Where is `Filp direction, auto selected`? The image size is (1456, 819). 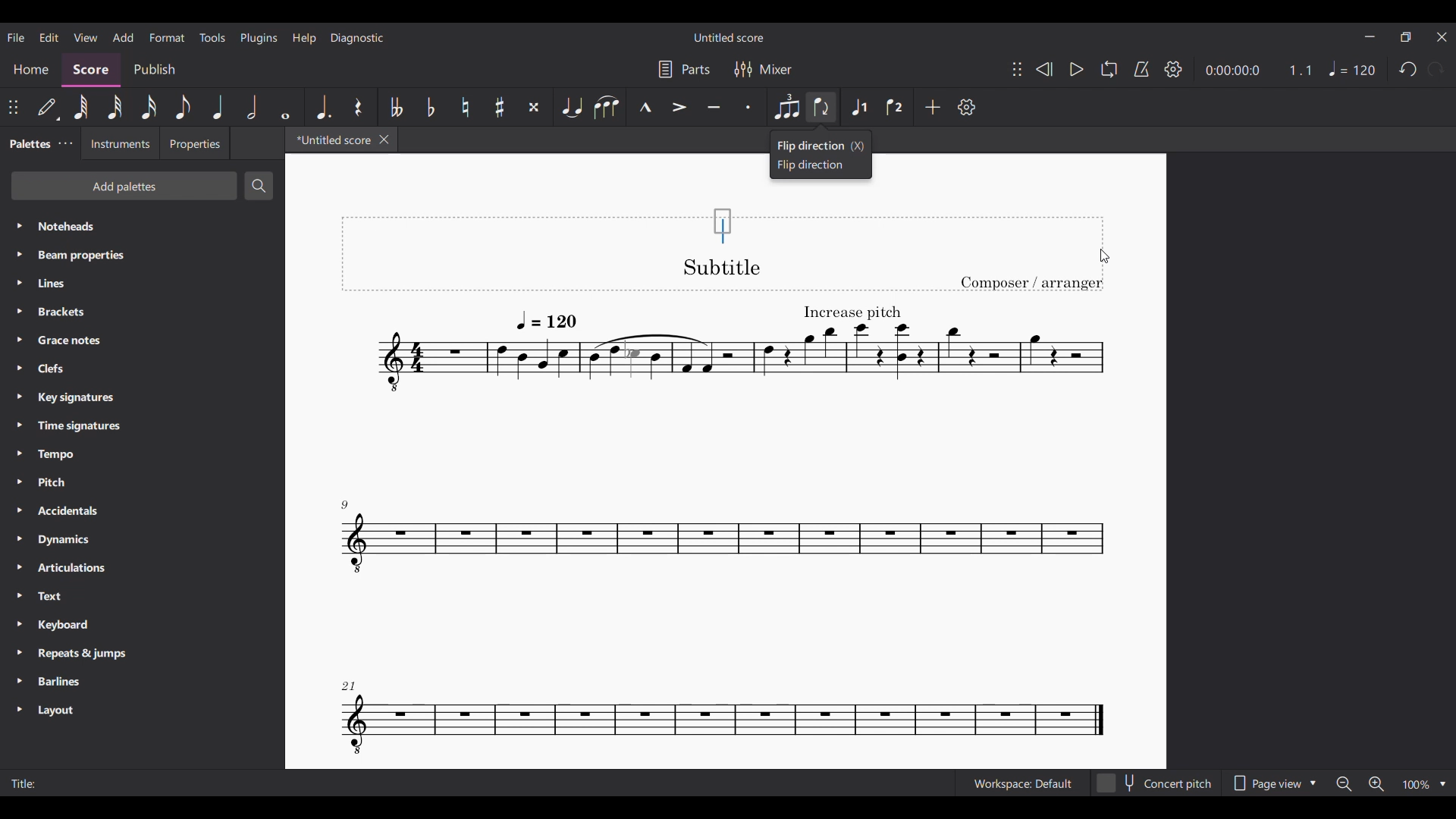 Filp direction, auto selected is located at coordinates (821, 107).